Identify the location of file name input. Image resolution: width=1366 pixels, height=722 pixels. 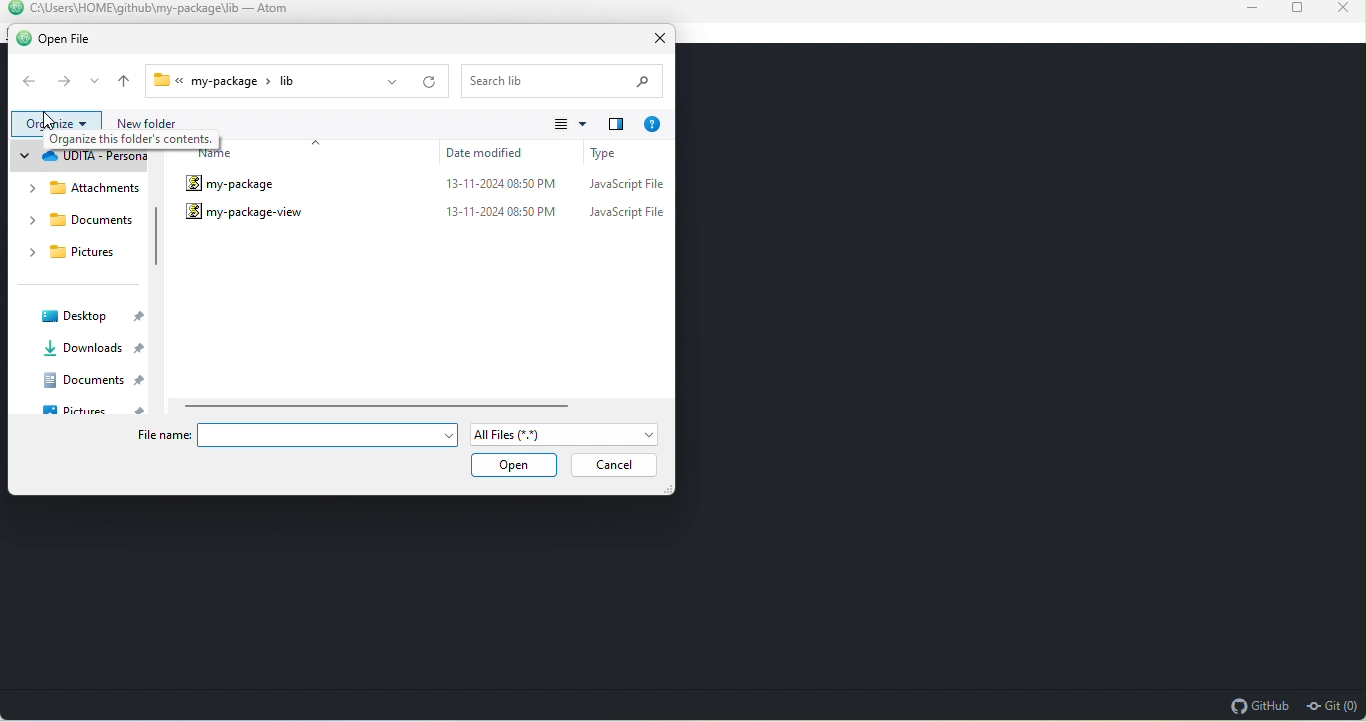
(317, 435).